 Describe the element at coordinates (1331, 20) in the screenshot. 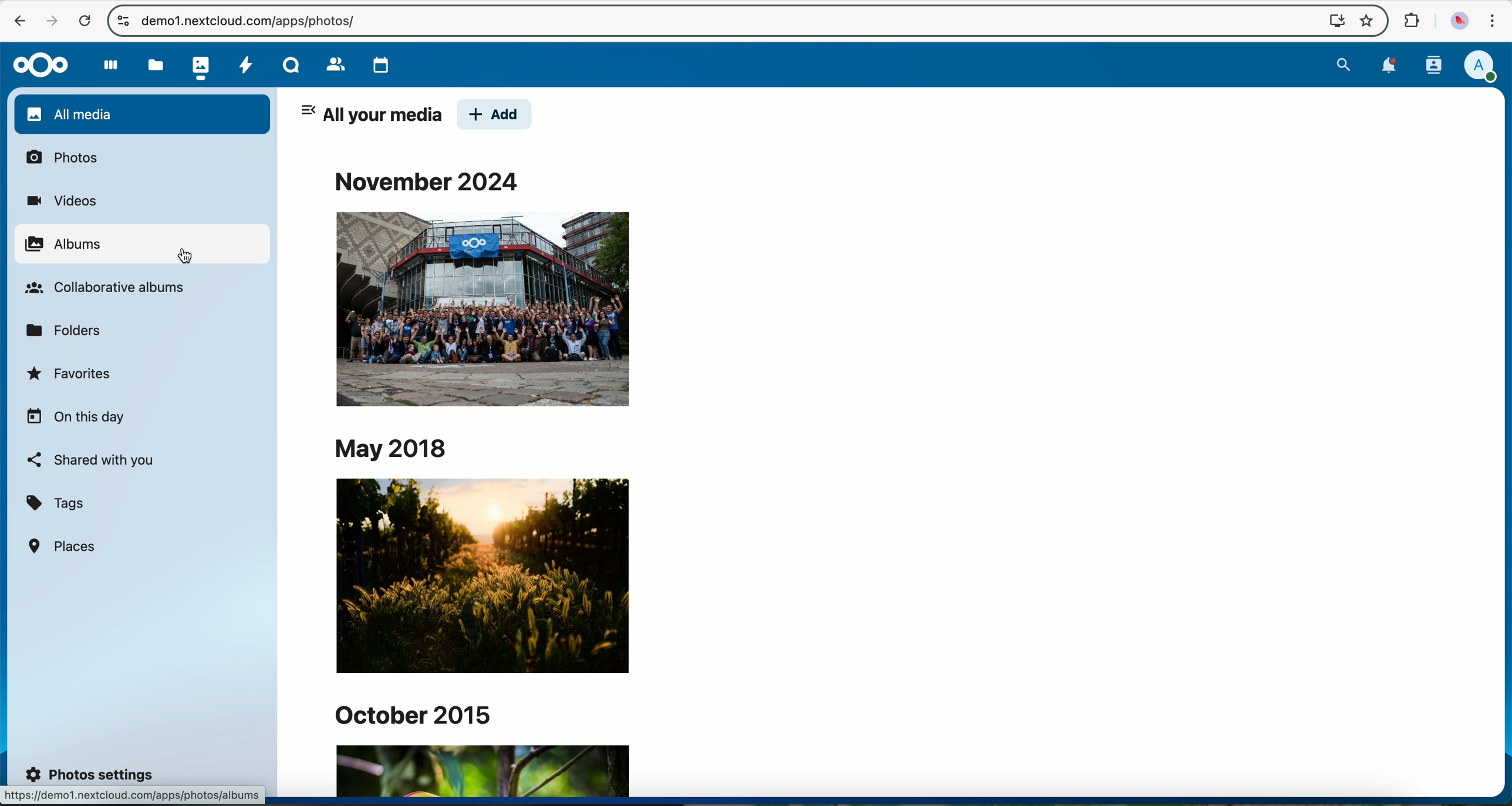

I see `screen` at that location.